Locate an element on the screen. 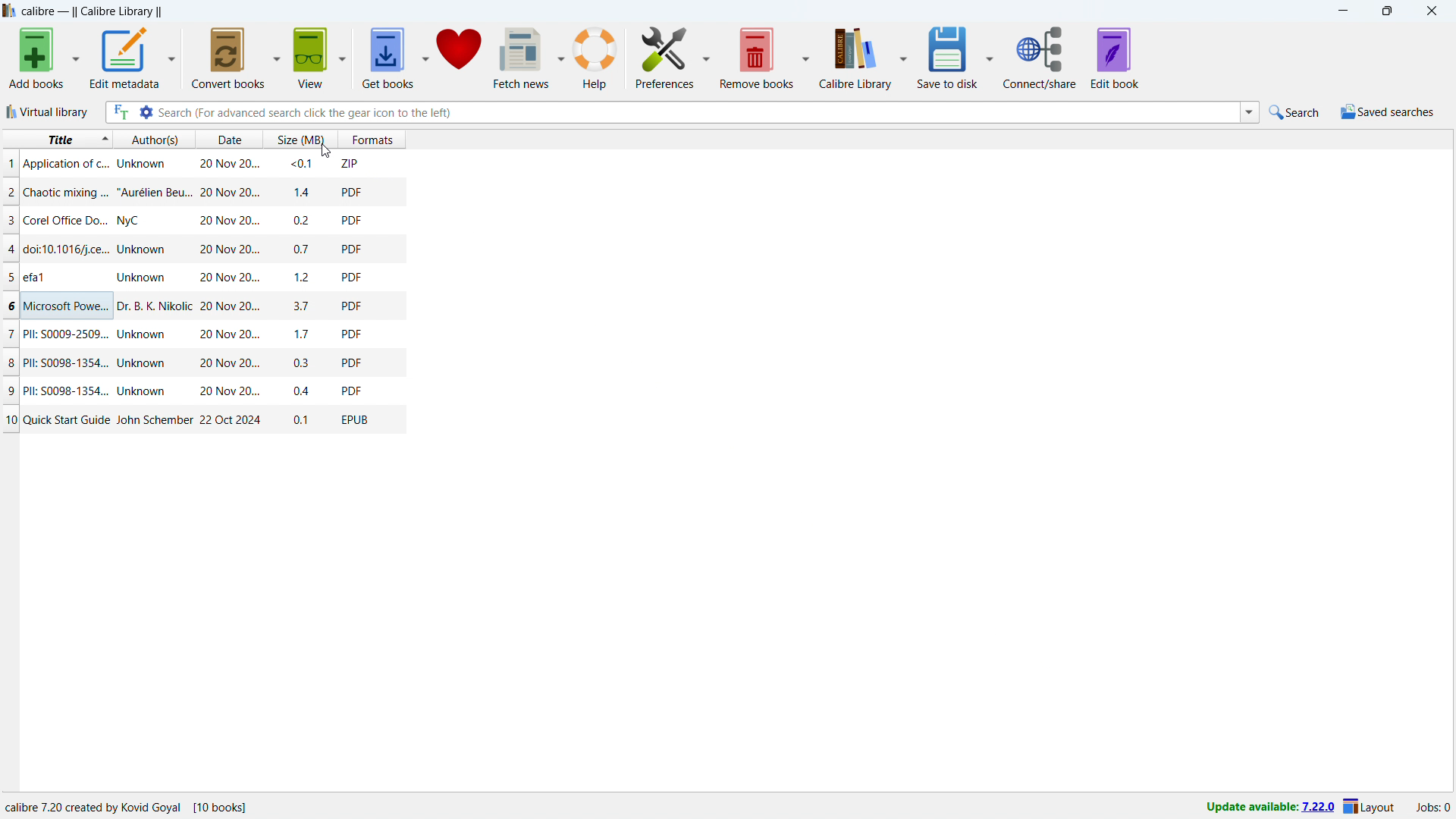 The image size is (1456, 819). Layout is located at coordinates (1370, 806).